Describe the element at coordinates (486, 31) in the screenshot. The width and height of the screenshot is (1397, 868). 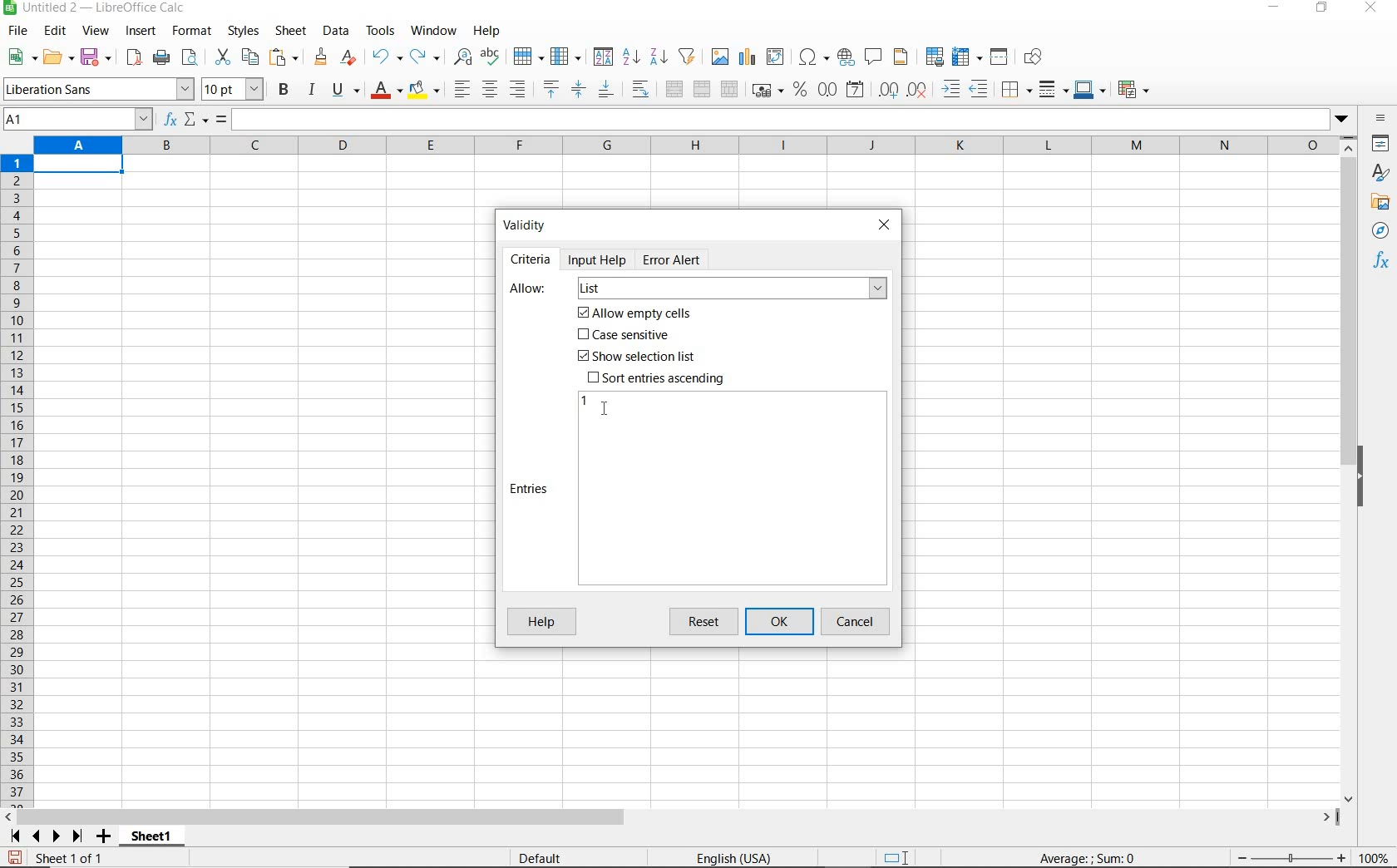
I see `help` at that location.